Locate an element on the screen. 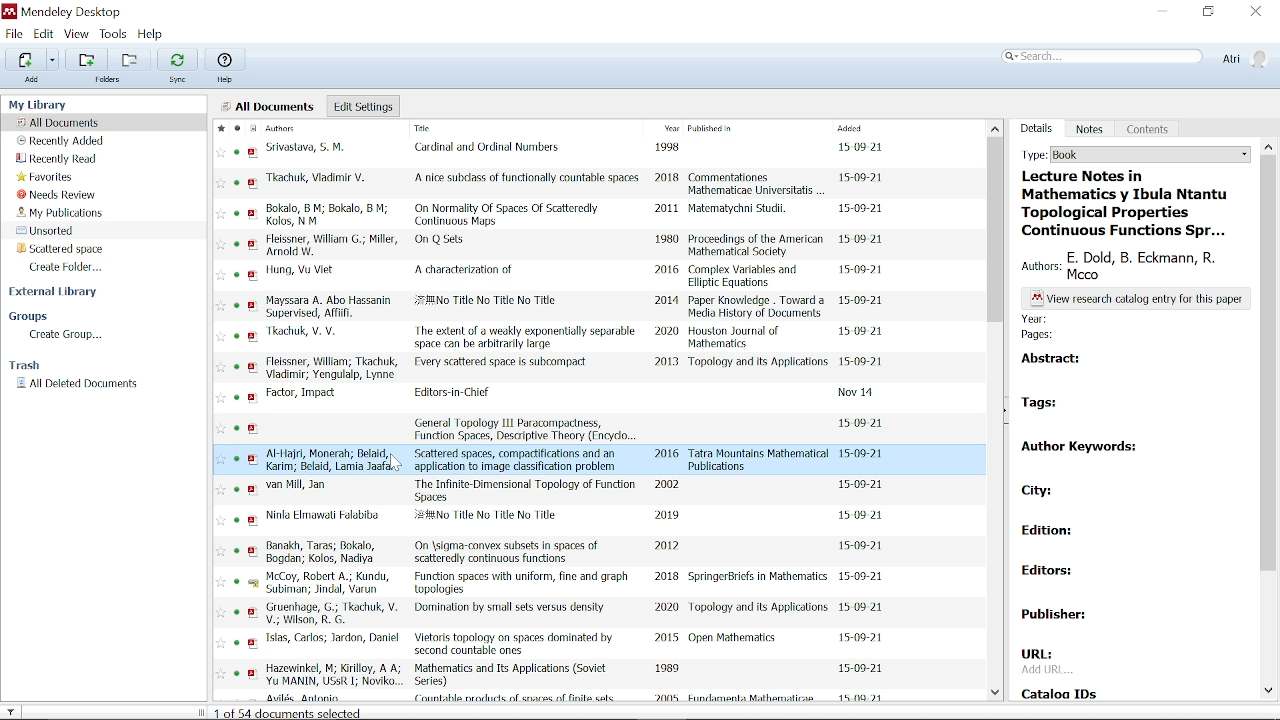  title is located at coordinates (464, 269).